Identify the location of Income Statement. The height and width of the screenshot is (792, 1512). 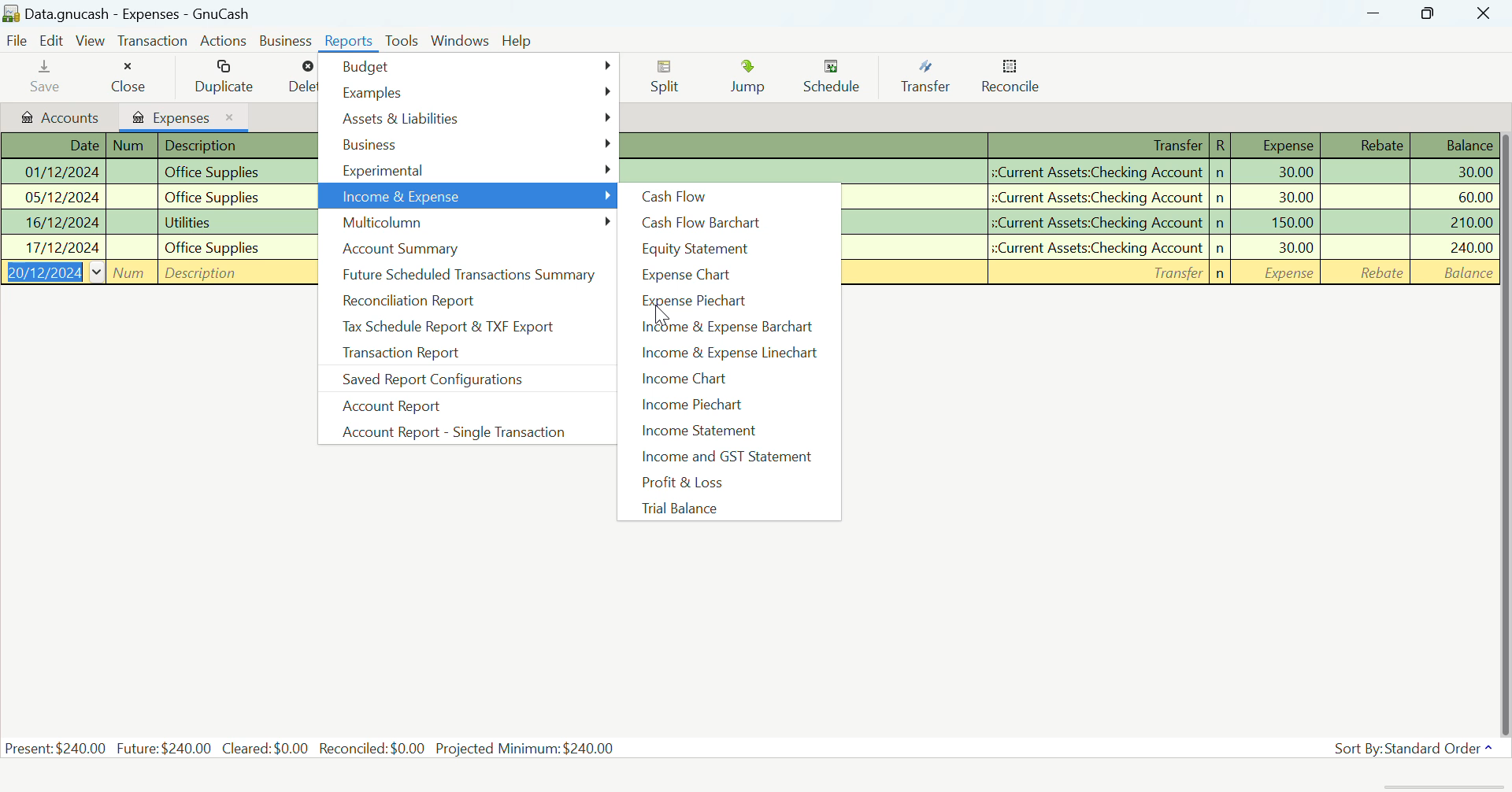
(728, 431).